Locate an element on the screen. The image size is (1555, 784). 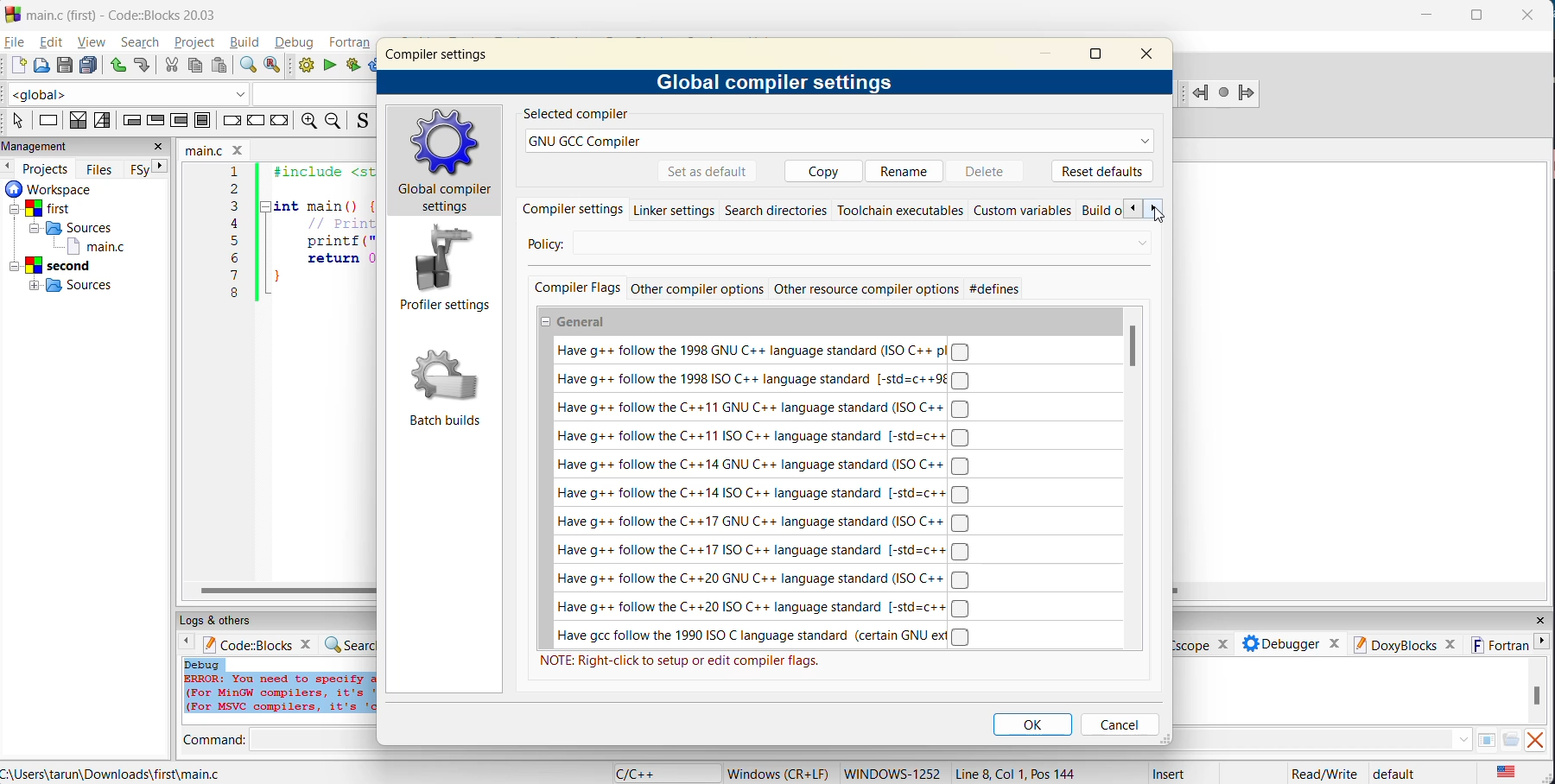
global compiler settings is located at coordinates (448, 164).